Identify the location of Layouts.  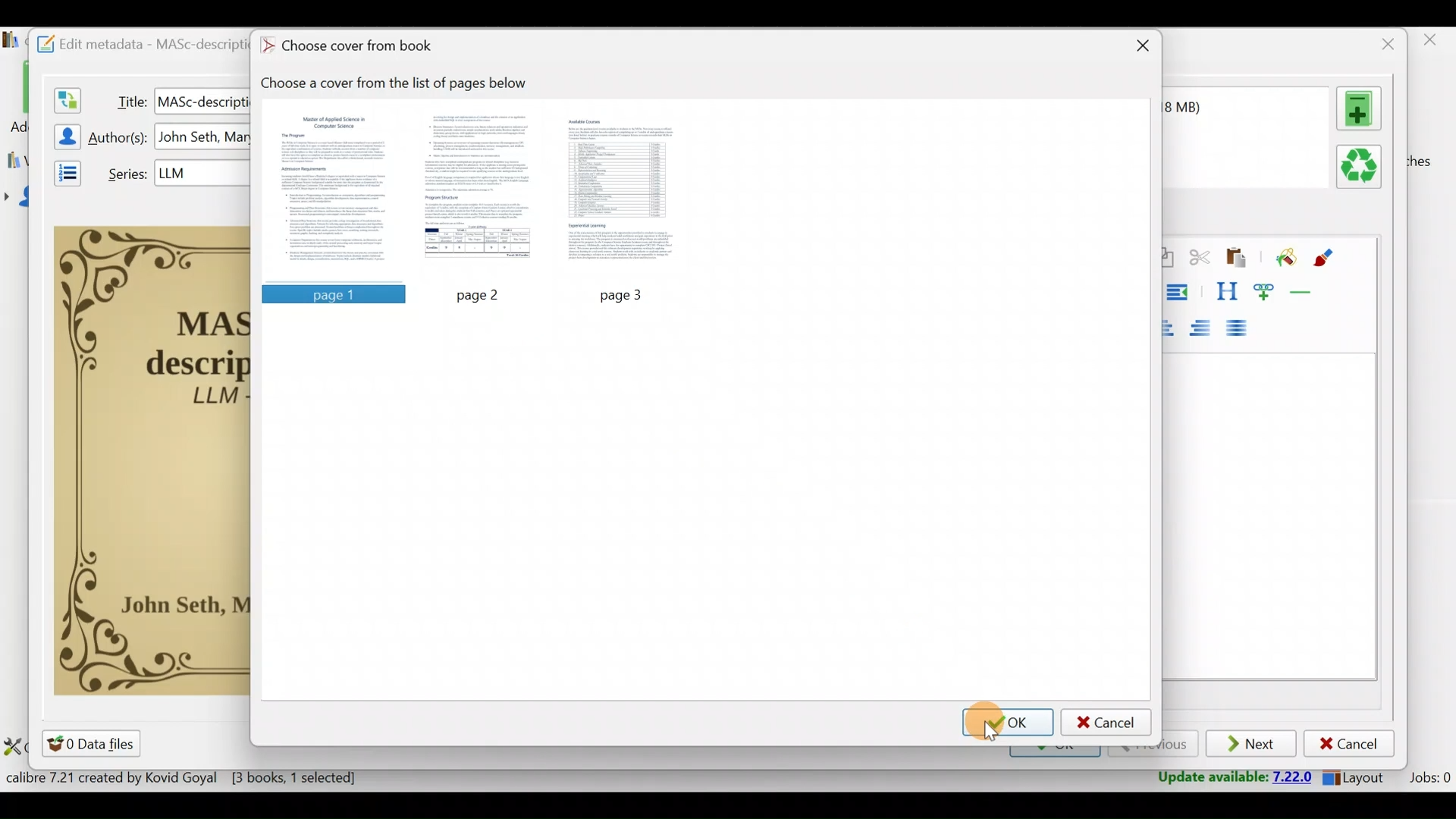
(1358, 777).